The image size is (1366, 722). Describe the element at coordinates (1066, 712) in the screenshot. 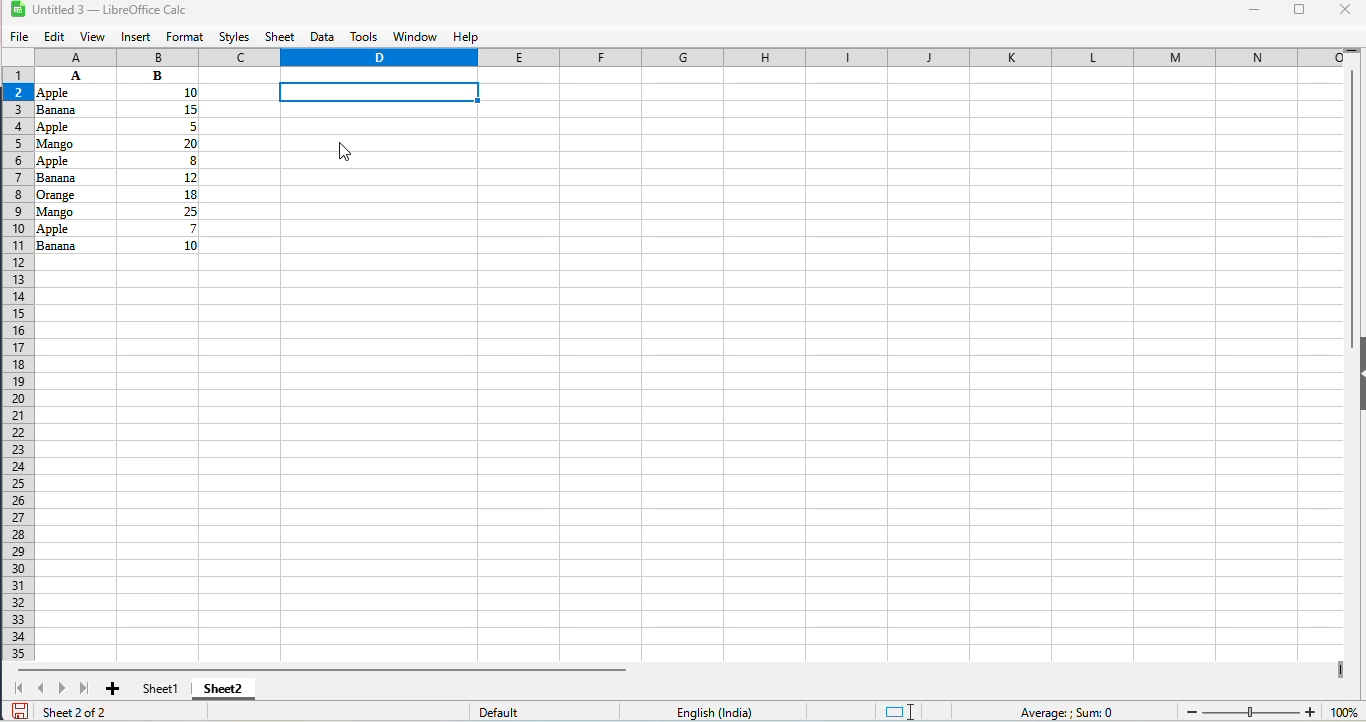

I see `formula` at that location.